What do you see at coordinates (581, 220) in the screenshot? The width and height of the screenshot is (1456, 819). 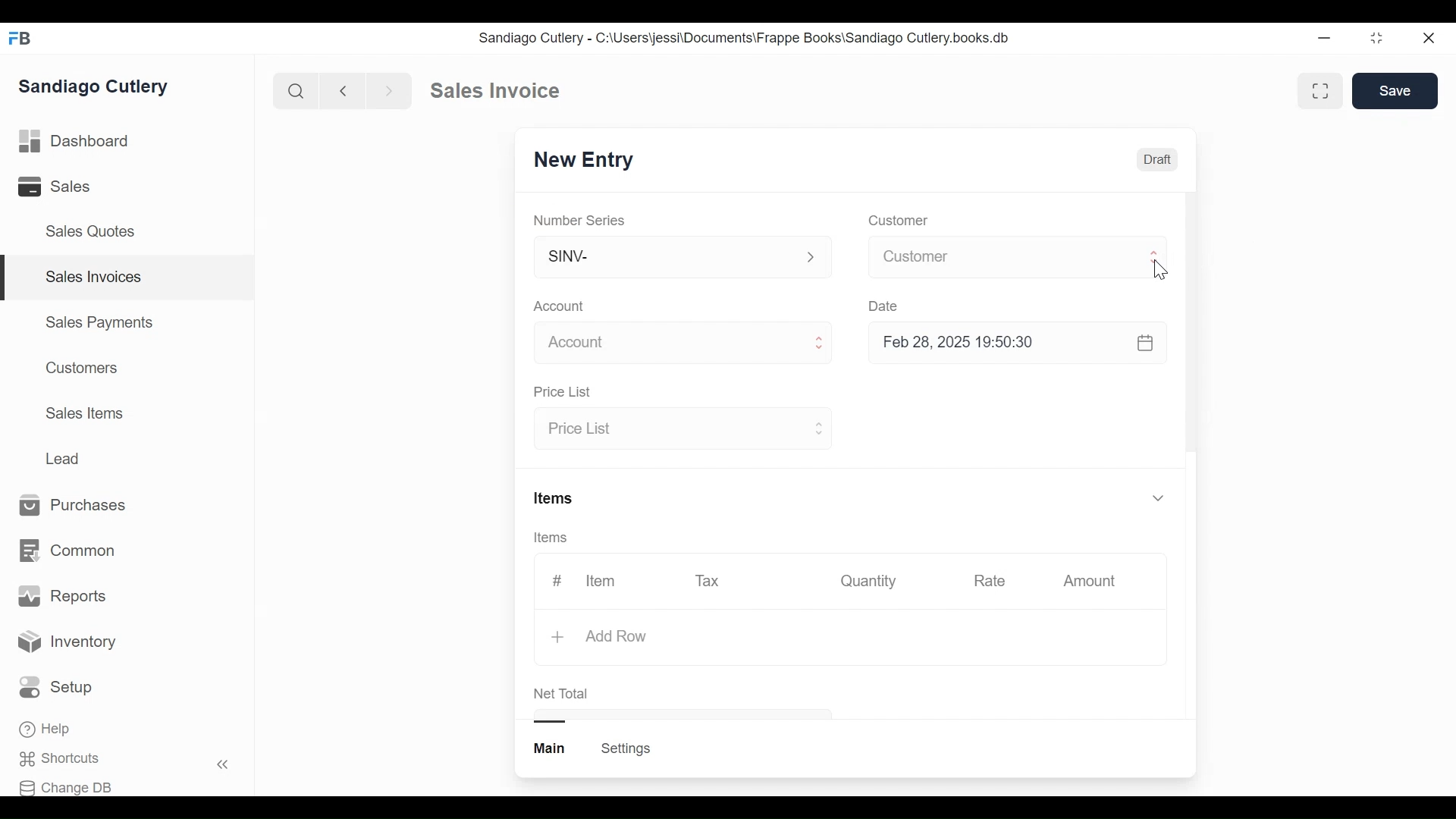 I see `Number Series` at bounding box center [581, 220].